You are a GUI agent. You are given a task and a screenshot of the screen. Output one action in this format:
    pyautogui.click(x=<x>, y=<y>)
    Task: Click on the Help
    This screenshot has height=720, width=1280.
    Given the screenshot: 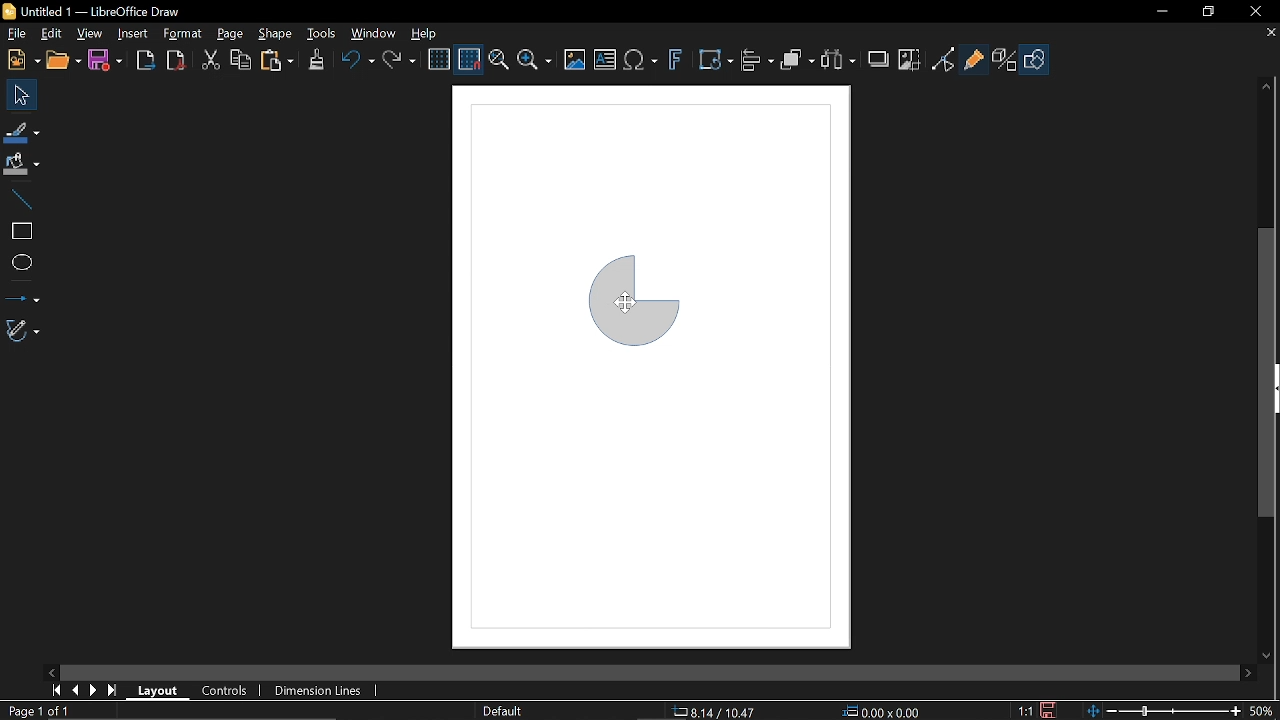 What is the action you would take?
    pyautogui.click(x=426, y=34)
    